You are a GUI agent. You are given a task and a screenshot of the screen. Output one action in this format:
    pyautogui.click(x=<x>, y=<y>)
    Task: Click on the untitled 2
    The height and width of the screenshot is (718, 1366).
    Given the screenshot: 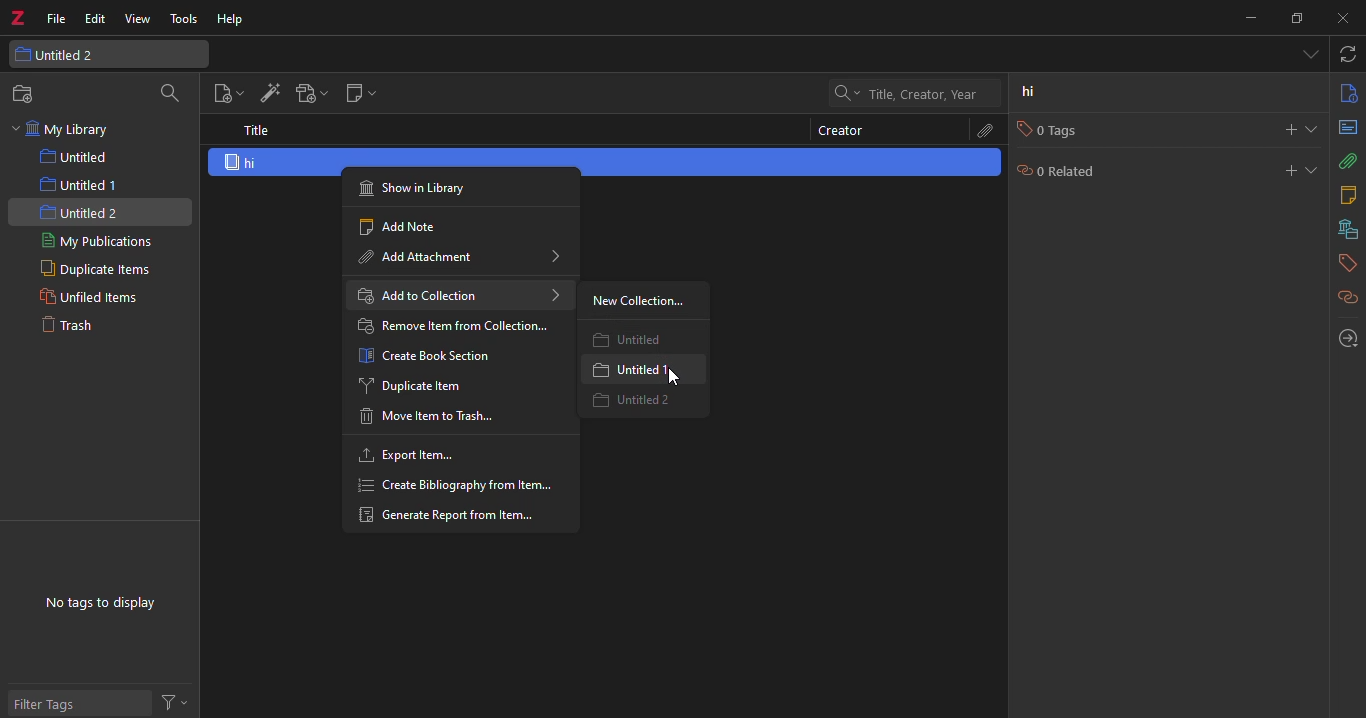 What is the action you would take?
    pyautogui.click(x=640, y=401)
    